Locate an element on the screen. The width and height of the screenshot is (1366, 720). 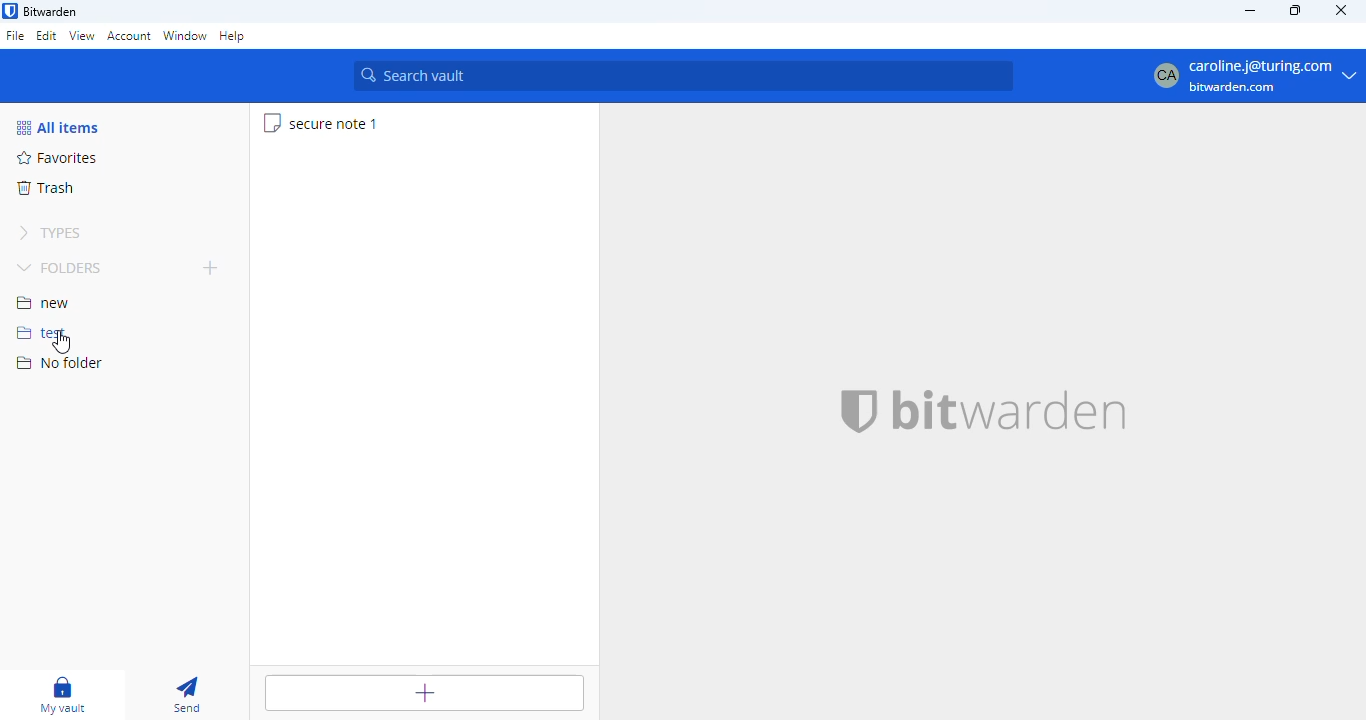
edit is located at coordinates (47, 37).